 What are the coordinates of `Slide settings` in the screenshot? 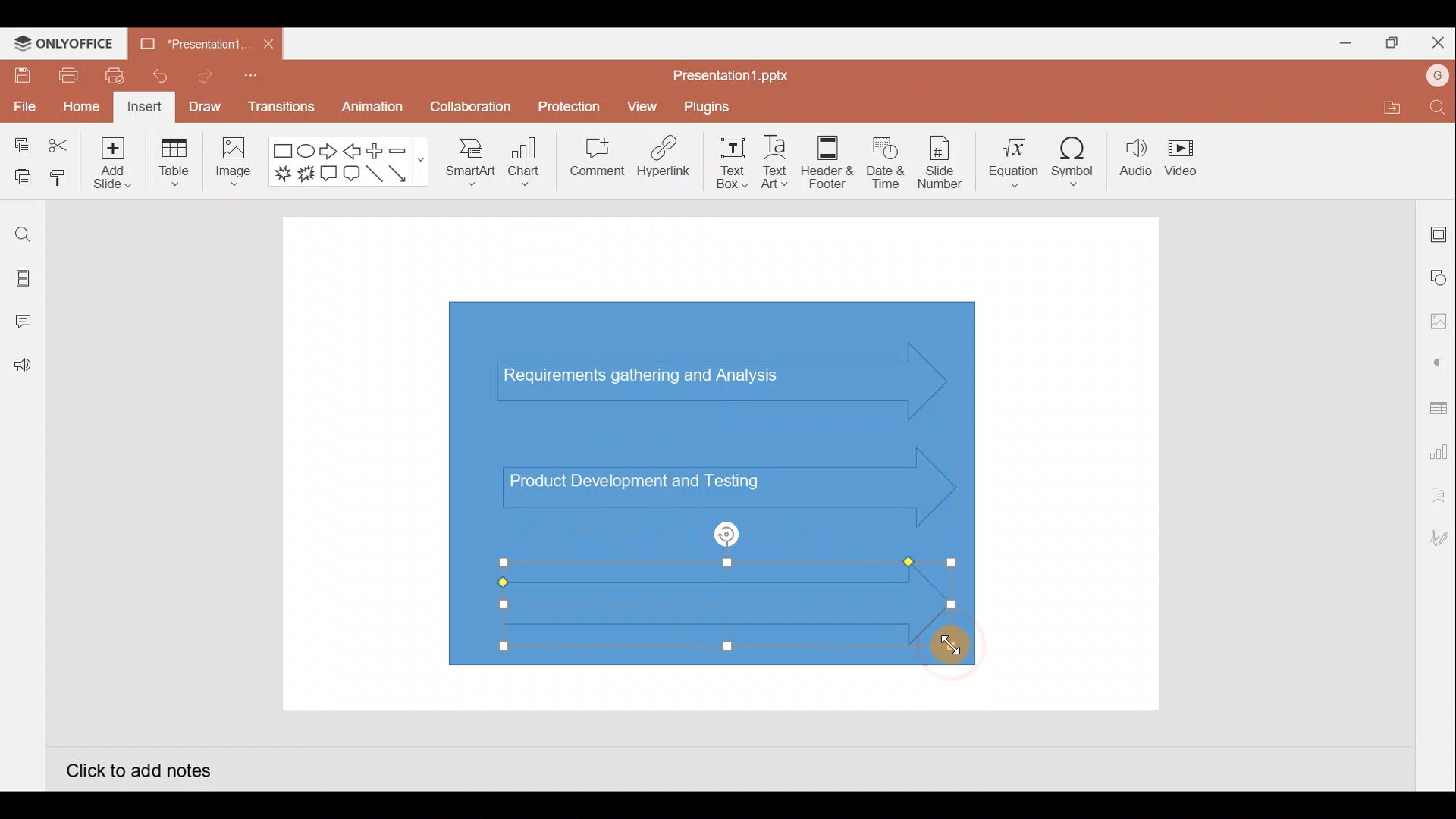 It's located at (1439, 231).